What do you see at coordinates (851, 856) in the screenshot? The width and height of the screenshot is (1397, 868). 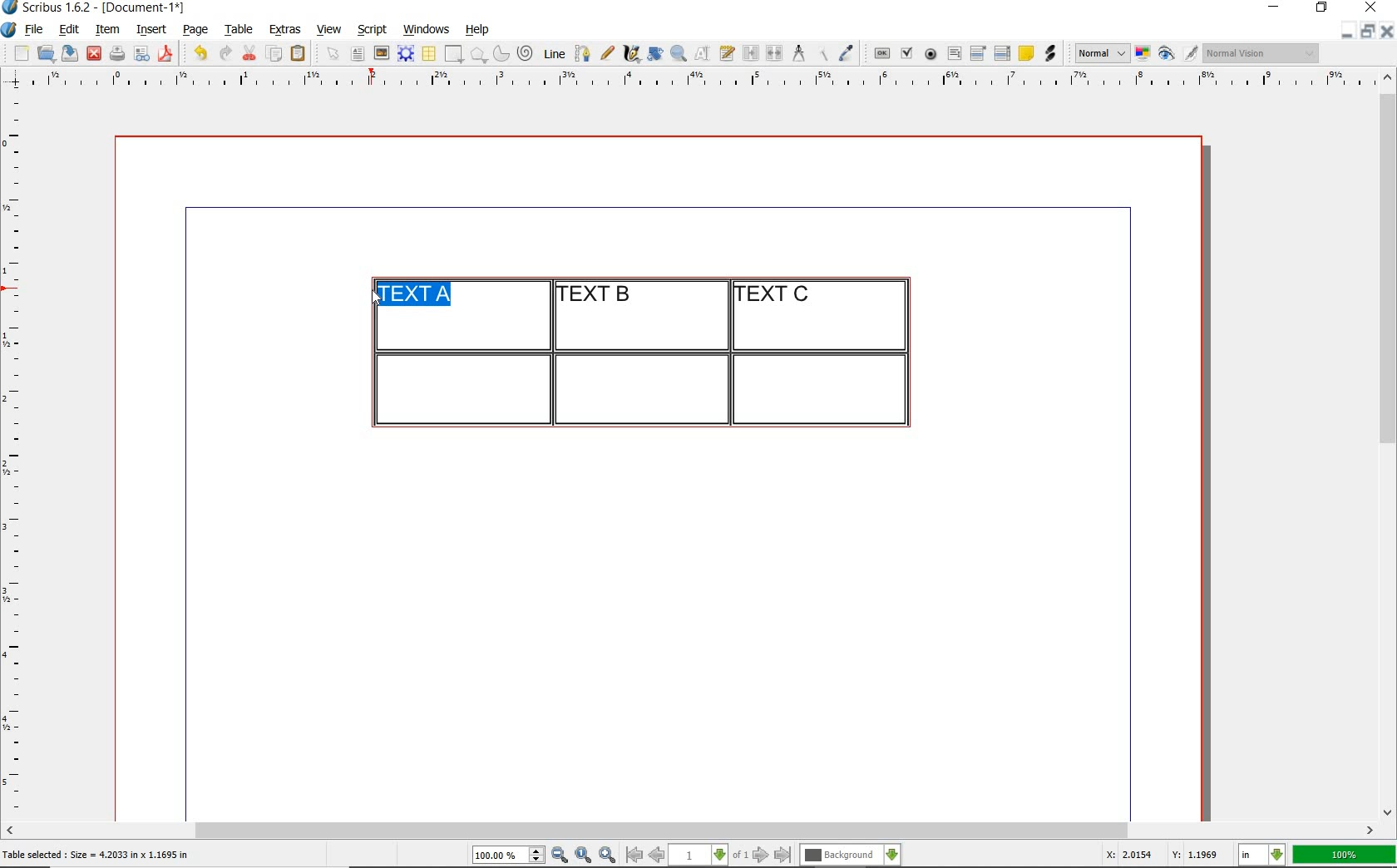 I see `select the current layer` at bounding box center [851, 856].